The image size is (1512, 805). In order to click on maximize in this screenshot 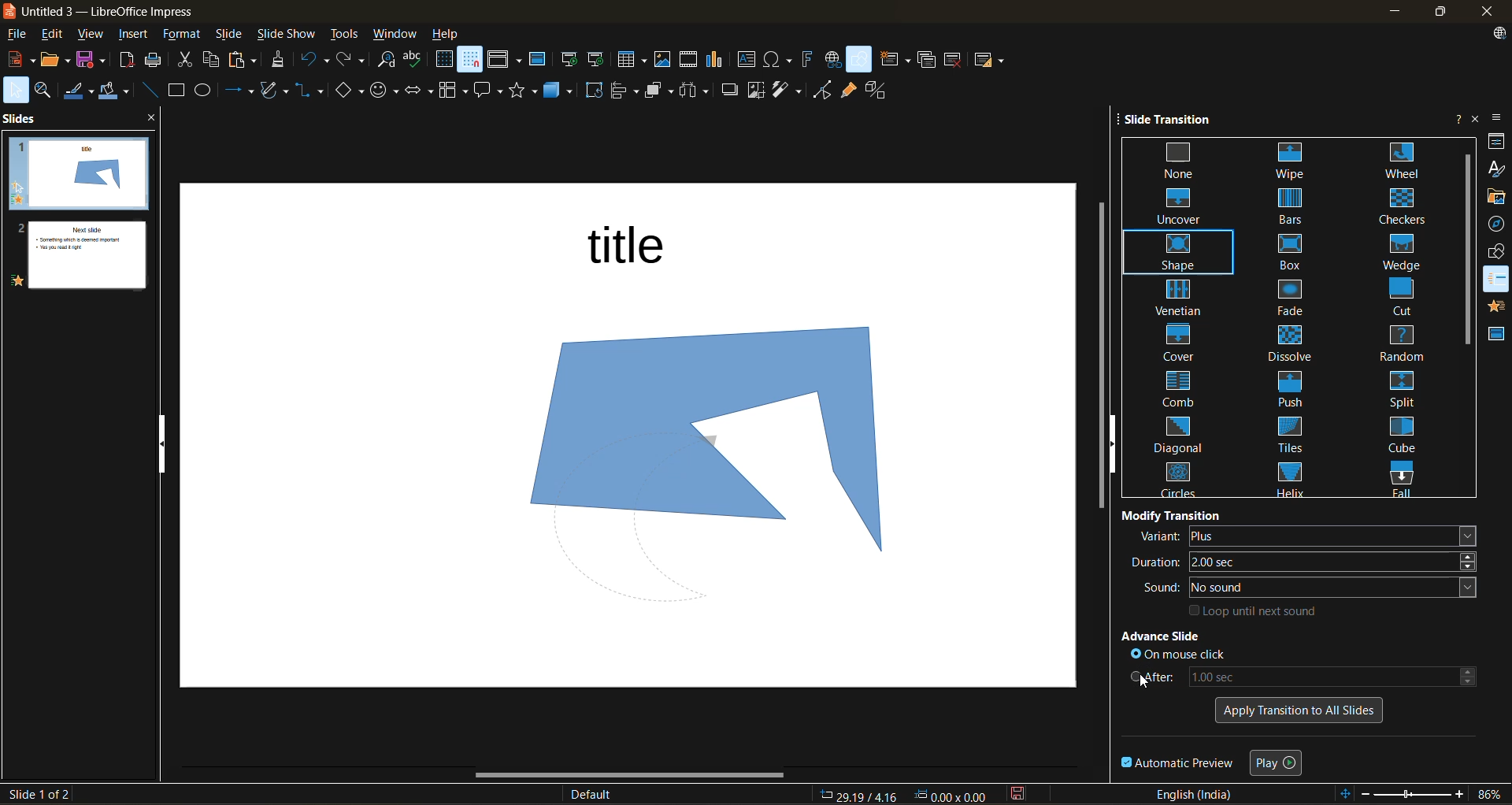, I will do `click(1446, 12)`.